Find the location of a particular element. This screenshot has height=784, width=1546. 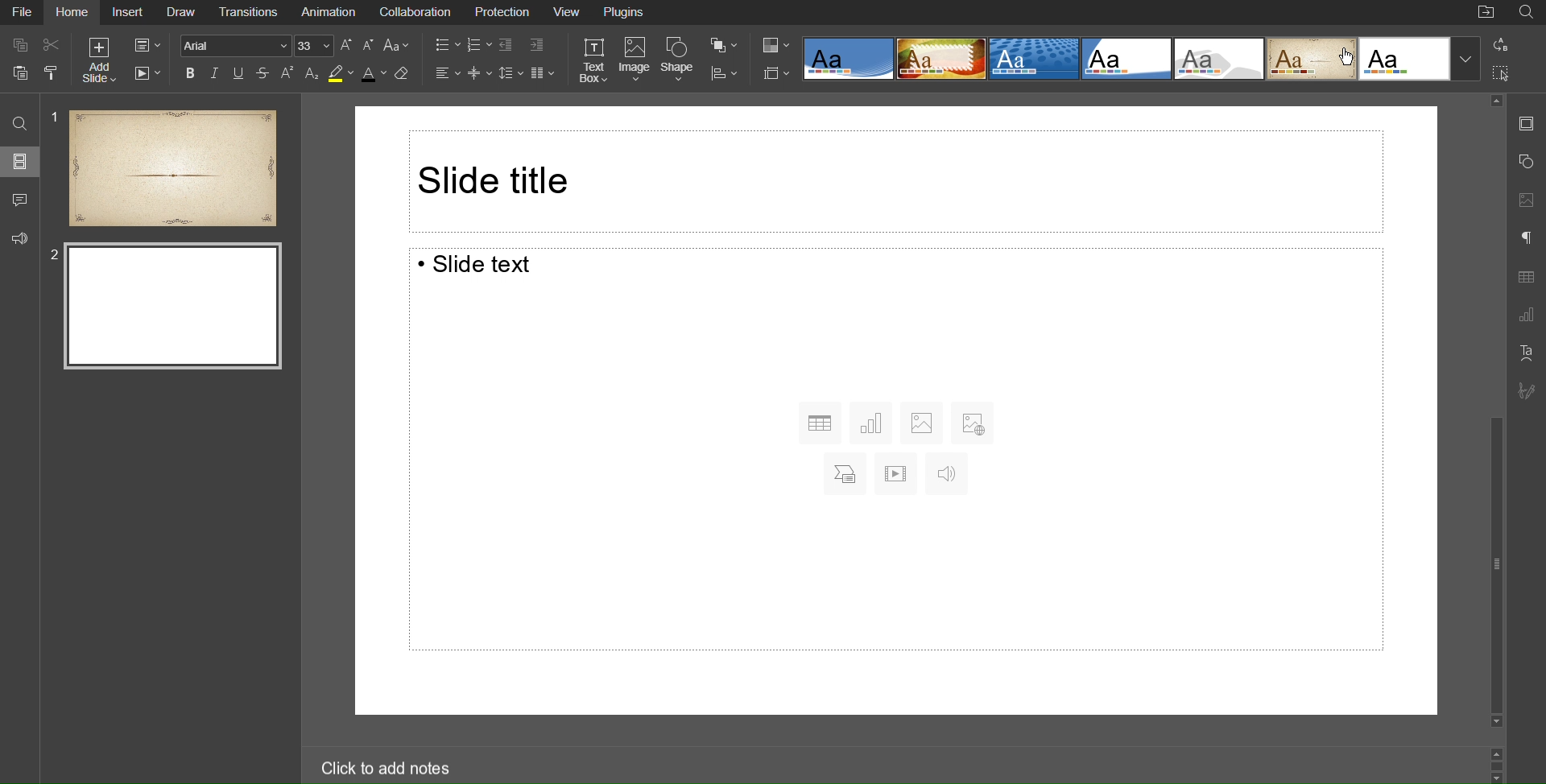

Color is located at coordinates (777, 47).